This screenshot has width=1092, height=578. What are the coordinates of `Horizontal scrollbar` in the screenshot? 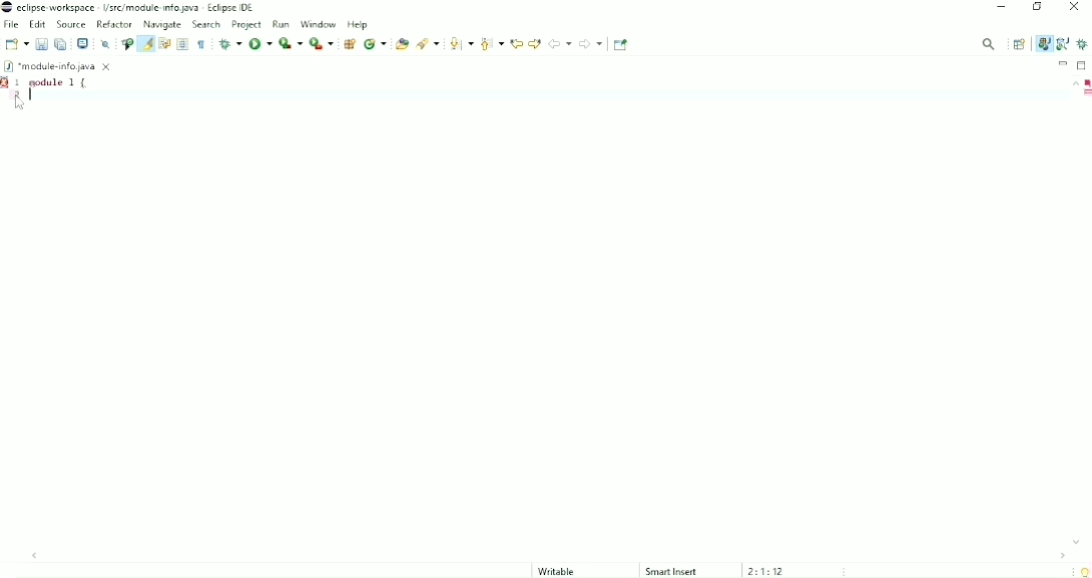 It's located at (551, 555).